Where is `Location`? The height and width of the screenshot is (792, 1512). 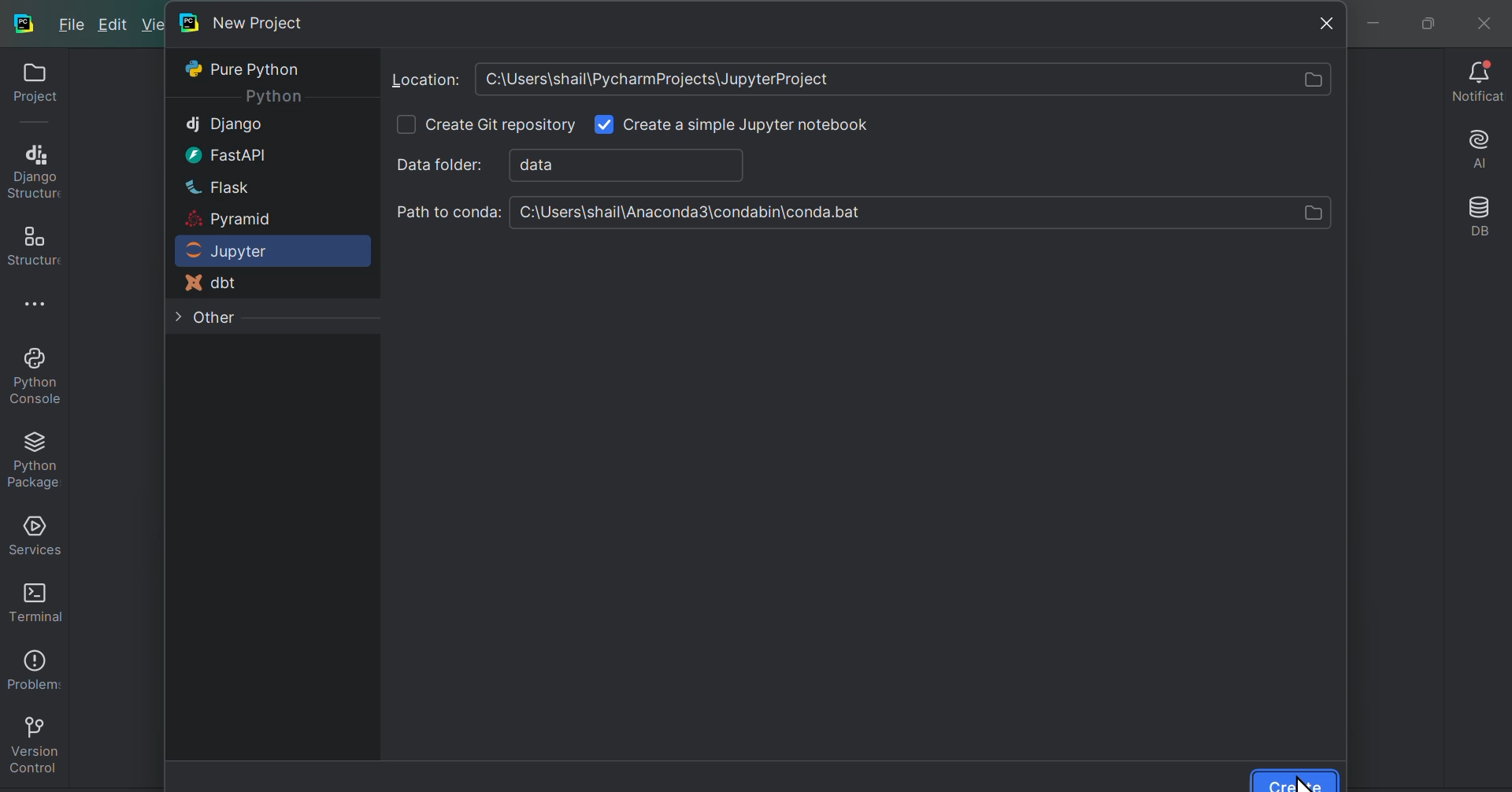 Location is located at coordinates (859, 80).